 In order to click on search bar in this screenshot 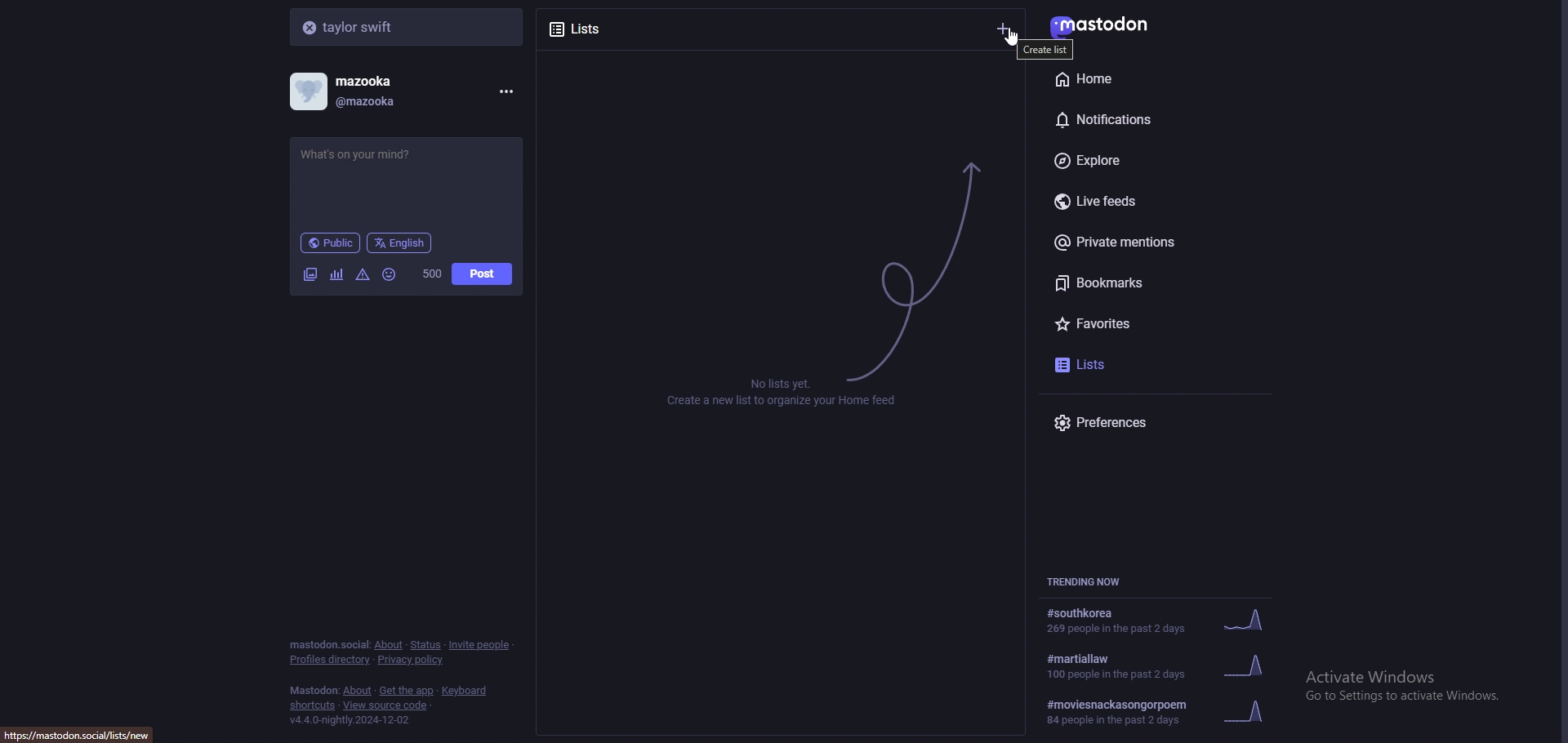, I will do `click(408, 26)`.